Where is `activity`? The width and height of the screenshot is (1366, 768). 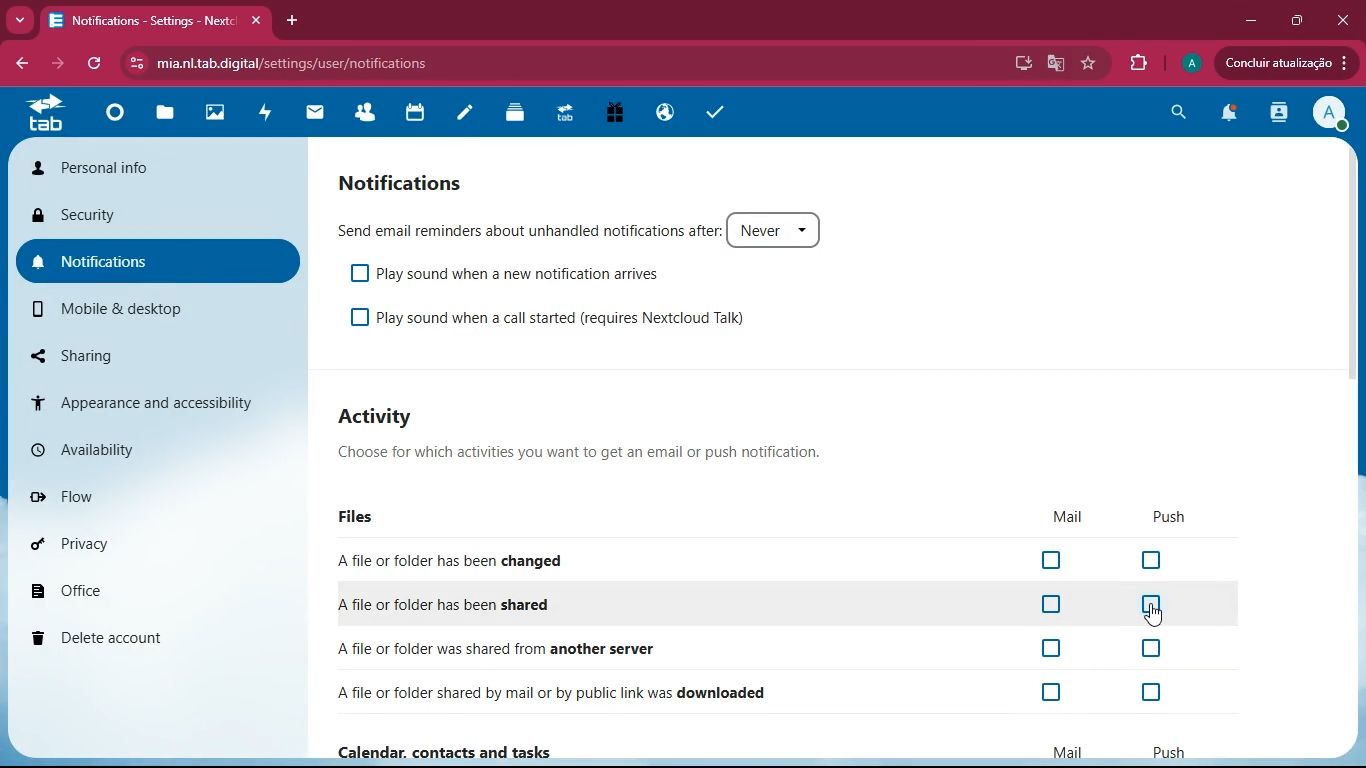
activity is located at coordinates (1276, 113).